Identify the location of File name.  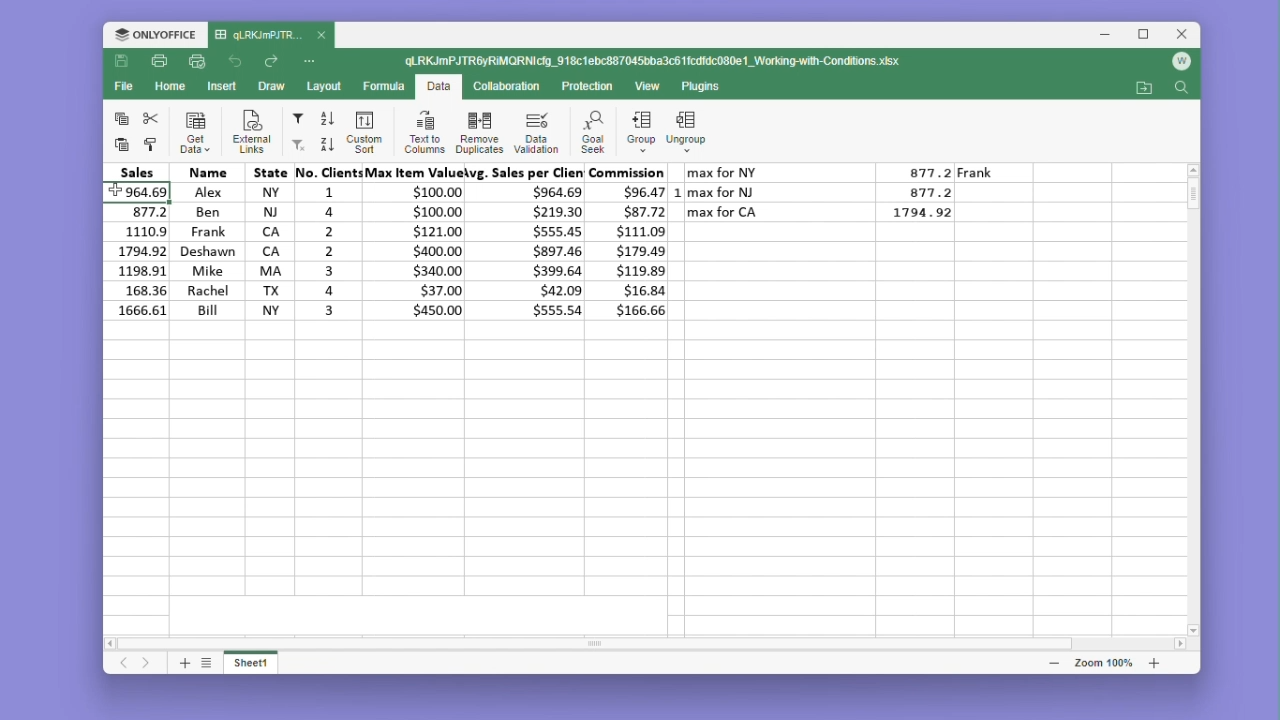
(655, 62).